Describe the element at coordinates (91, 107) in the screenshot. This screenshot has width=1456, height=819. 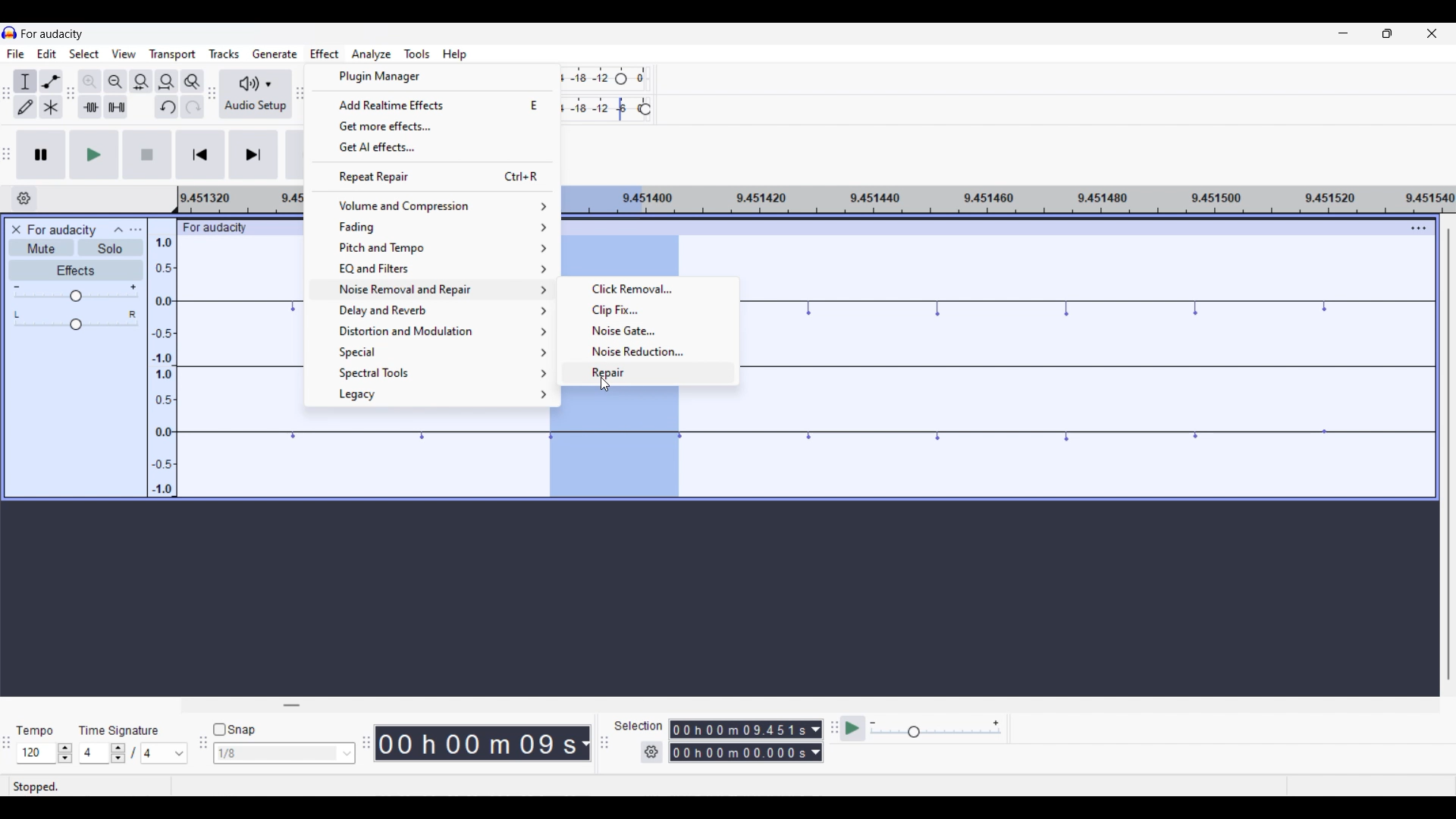
I see `Trim audio outside selection` at that location.